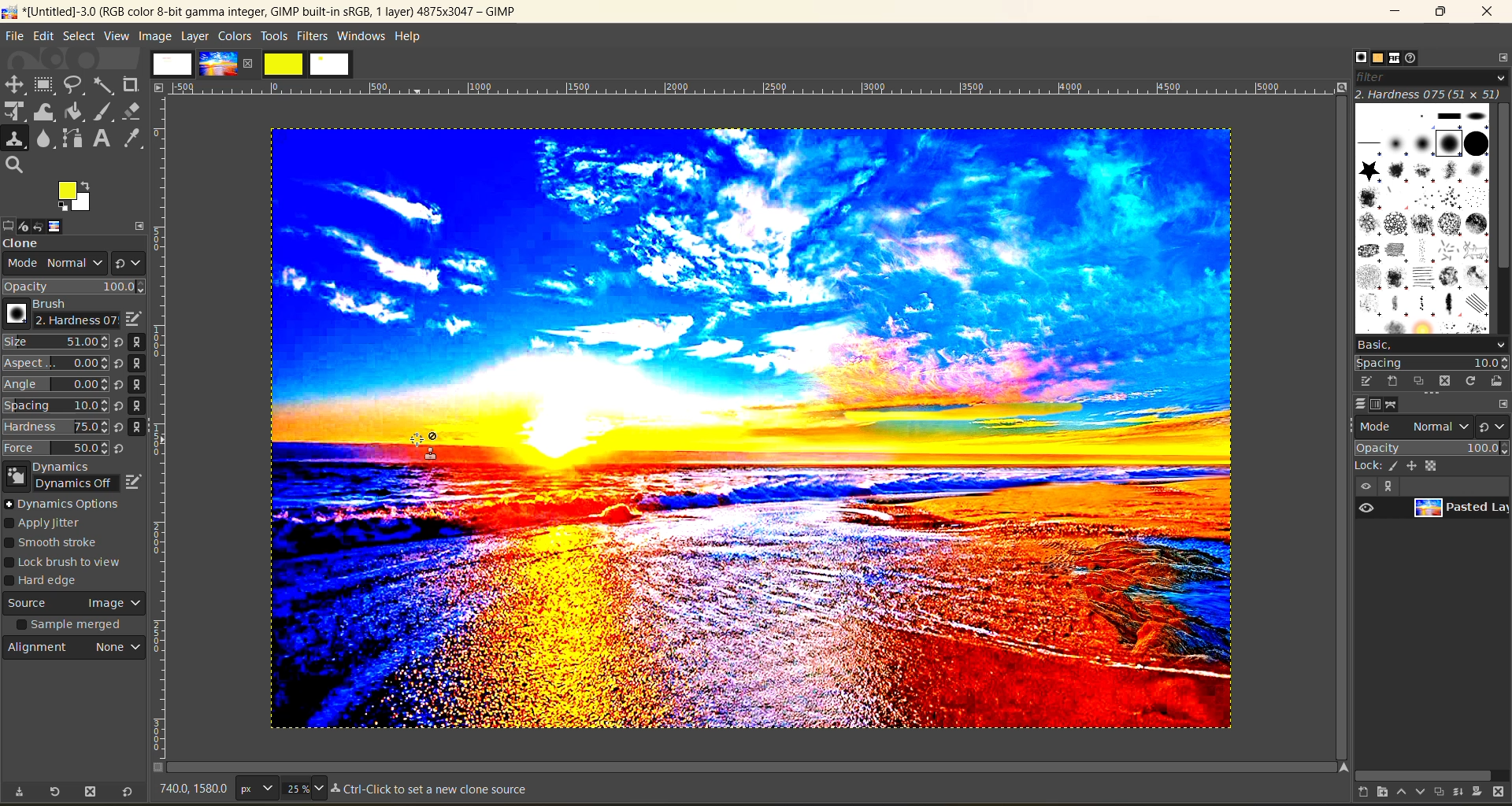 The width and height of the screenshot is (1512, 806). Describe the element at coordinates (1421, 217) in the screenshot. I see `brushes` at that location.